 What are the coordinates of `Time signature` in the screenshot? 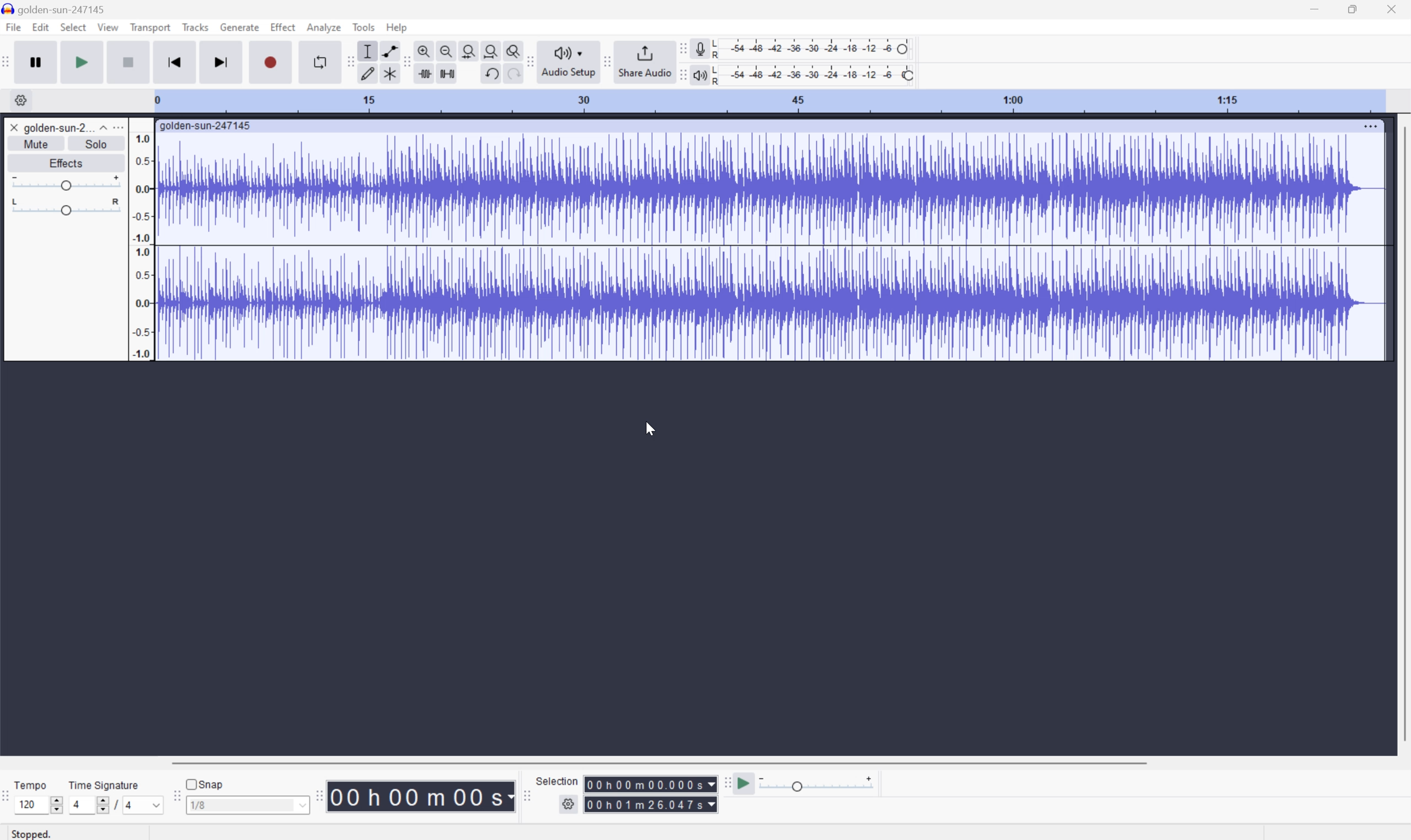 It's located at (103, 785).